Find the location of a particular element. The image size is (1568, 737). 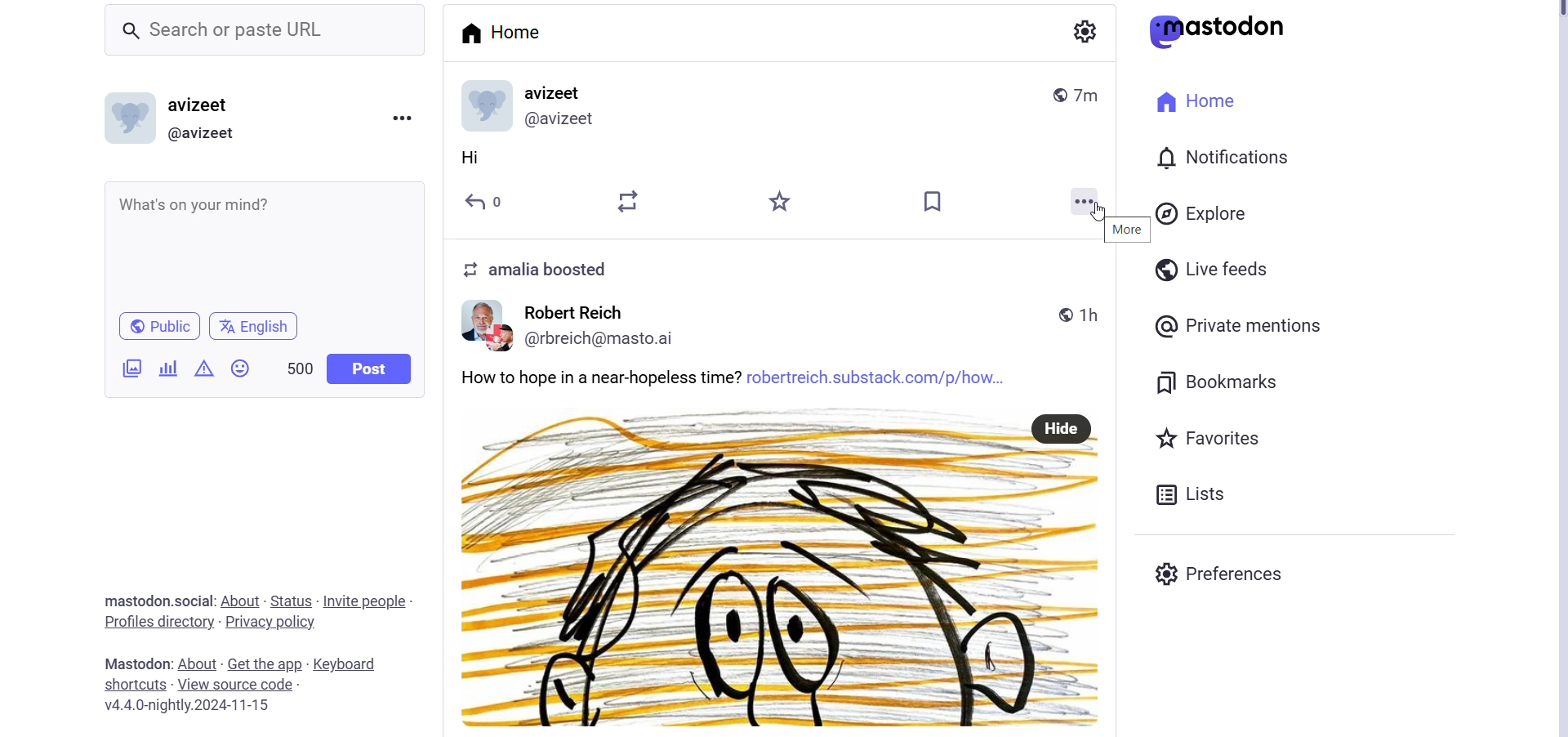

Public is located at coordinates (158, 326).